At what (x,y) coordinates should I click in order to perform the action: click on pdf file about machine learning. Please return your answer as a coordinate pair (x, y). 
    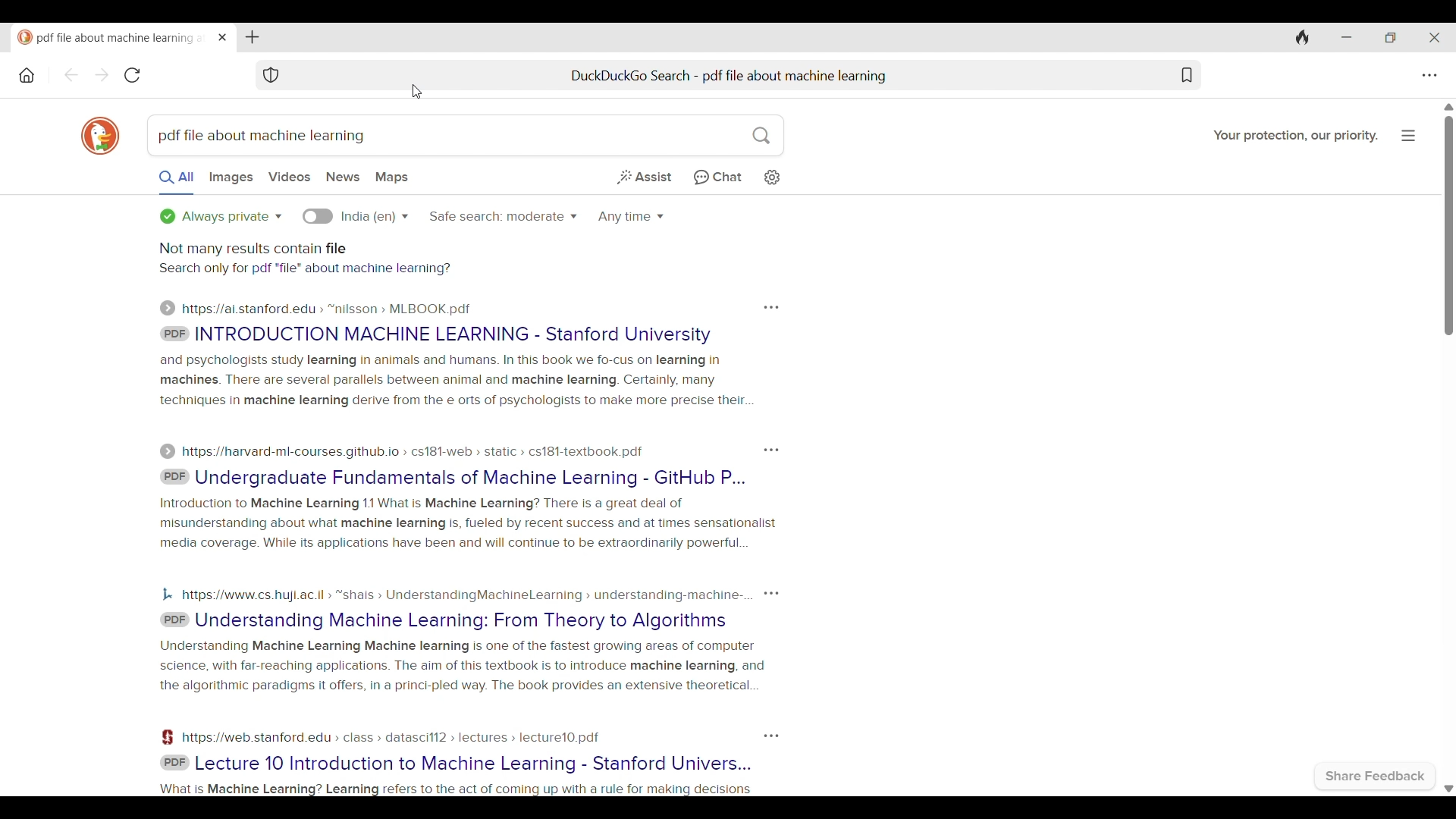
    Looking at the image, I should click on (114, 39).